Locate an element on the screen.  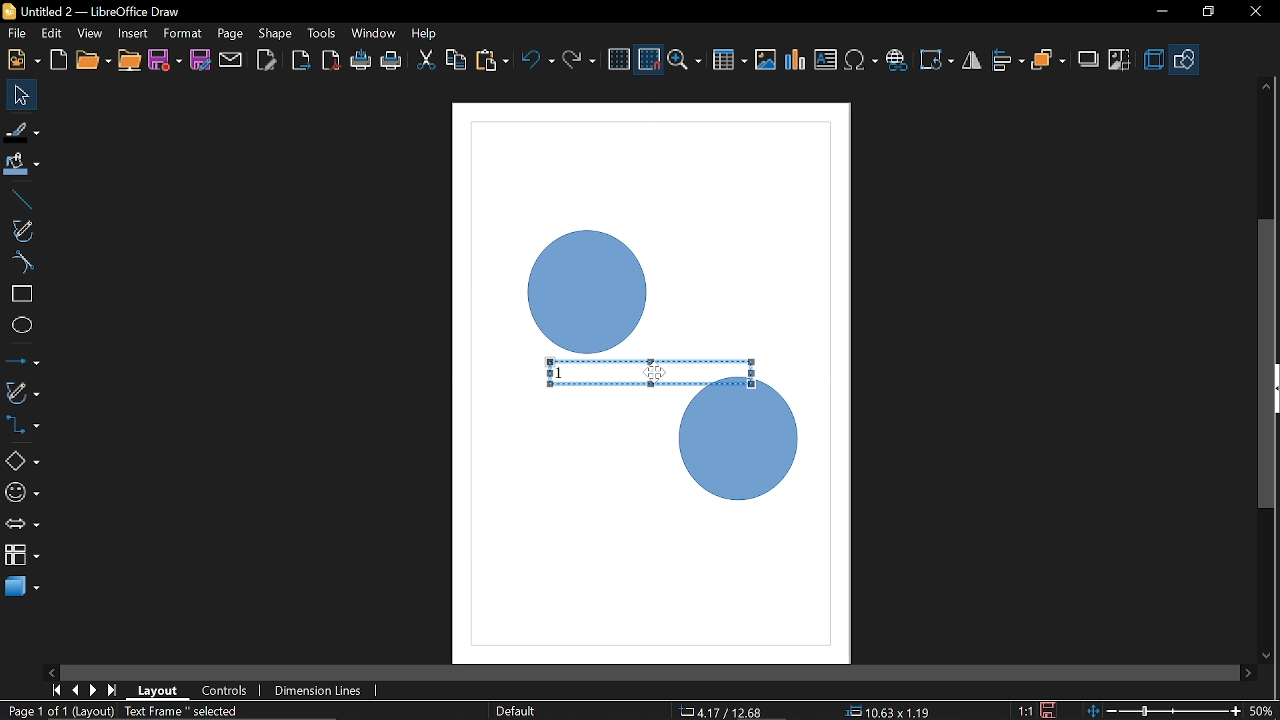
Fill line is located at coordinates (22, 132).